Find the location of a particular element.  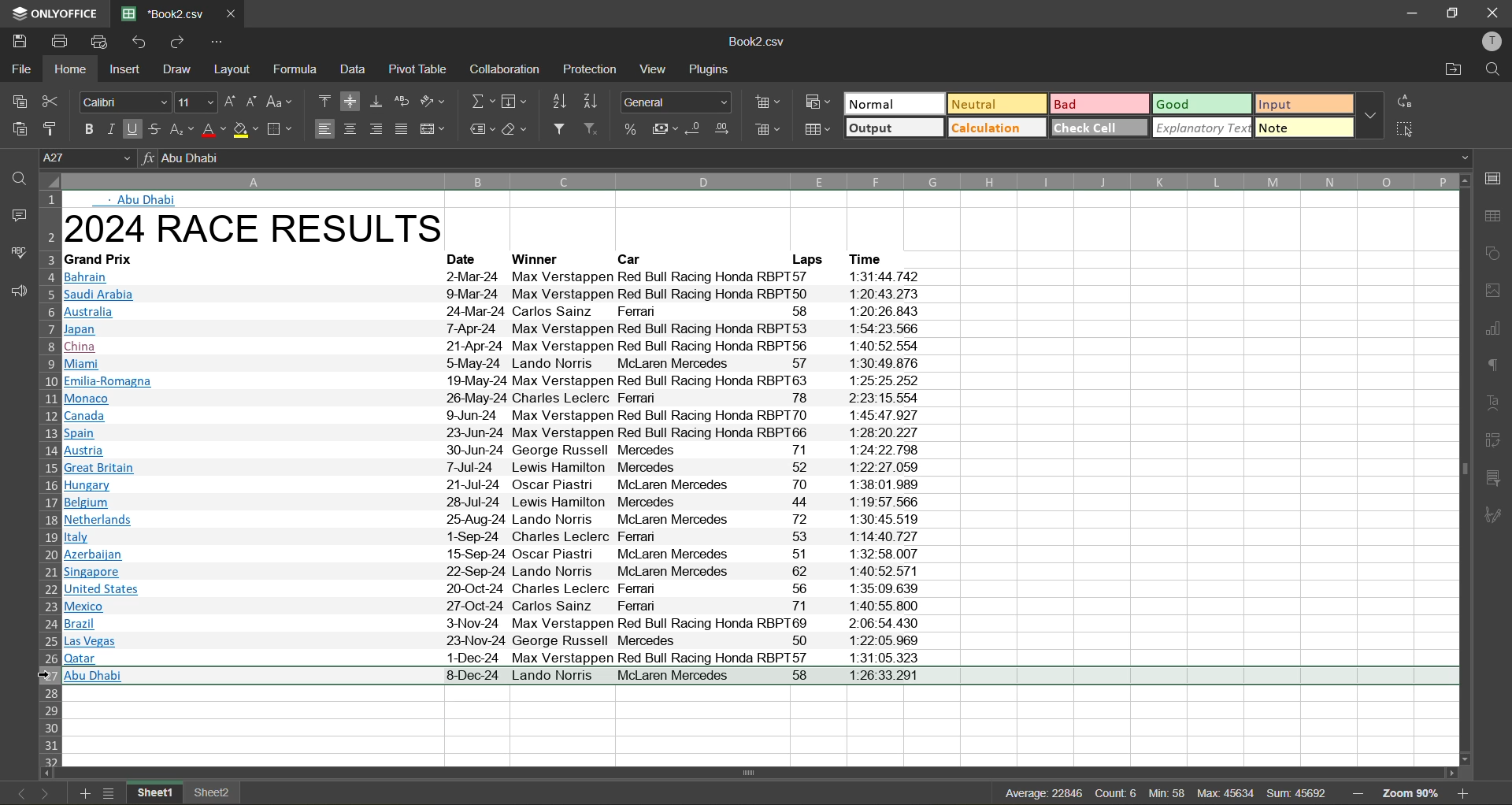

zoom in is located at coordinates (1466, 794).